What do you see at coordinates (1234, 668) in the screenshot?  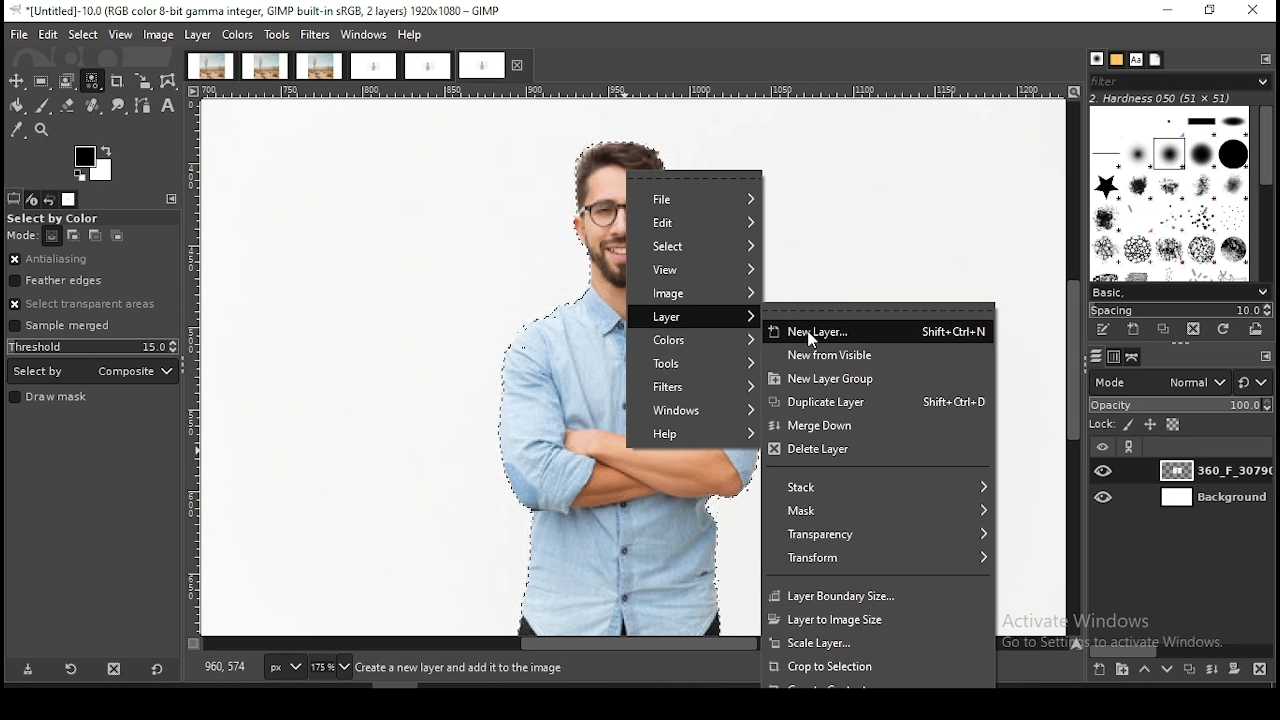 I see `add a mask` at bounding box center [1234, 668].